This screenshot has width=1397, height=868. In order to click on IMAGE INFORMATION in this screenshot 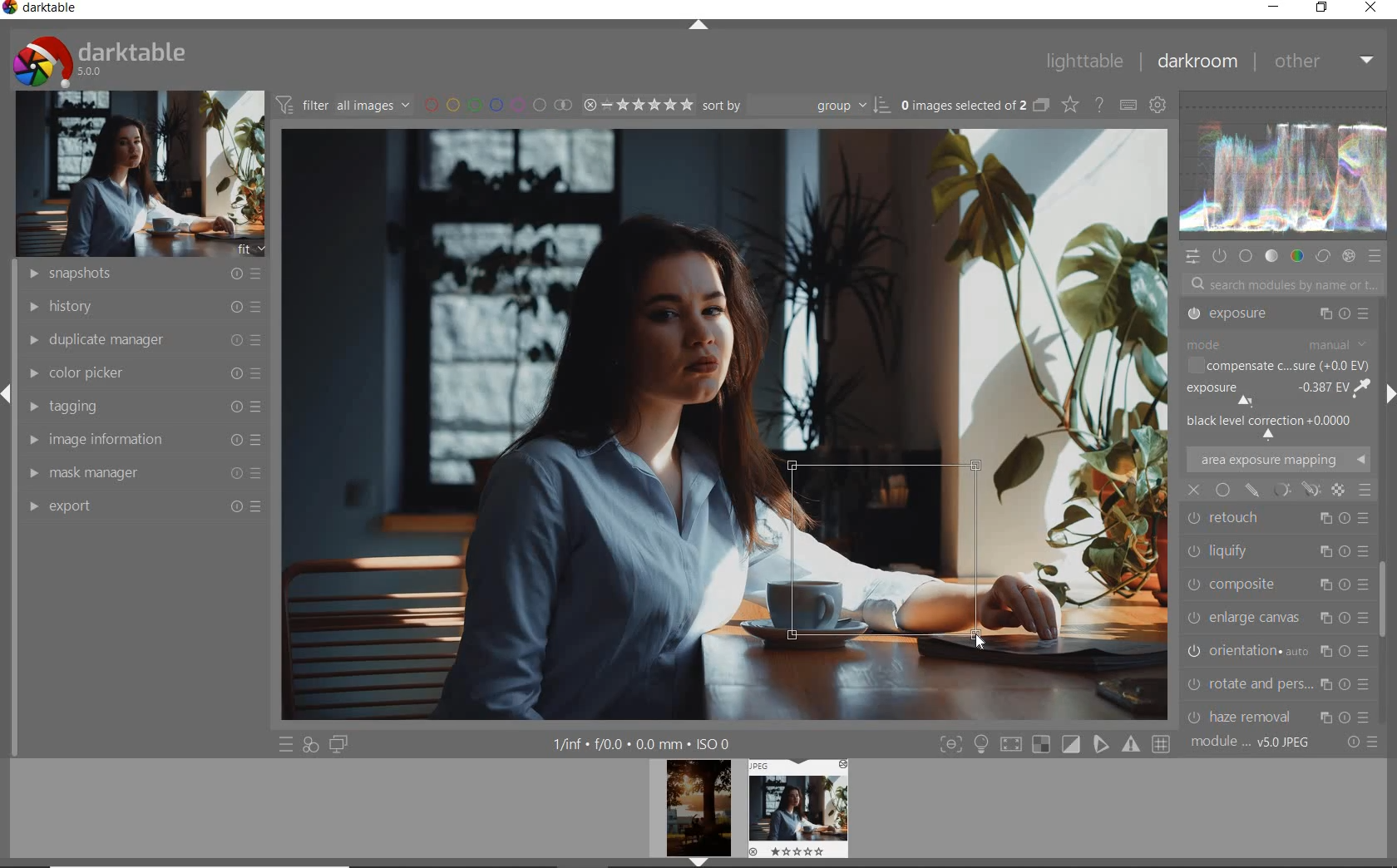, I will do `click(141, 440)`.